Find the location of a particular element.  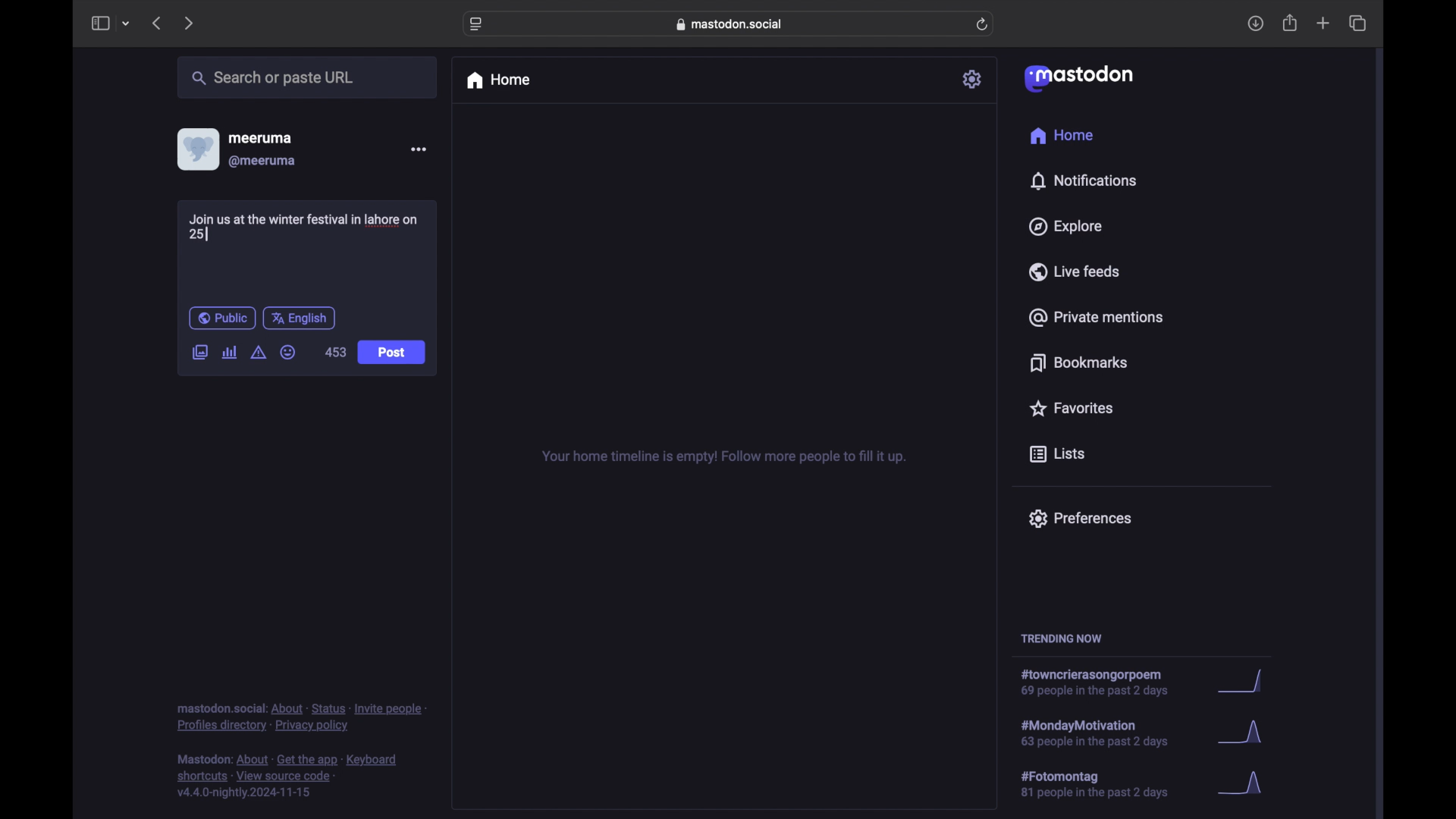

mastodon is located at coordinates (1077, 77).